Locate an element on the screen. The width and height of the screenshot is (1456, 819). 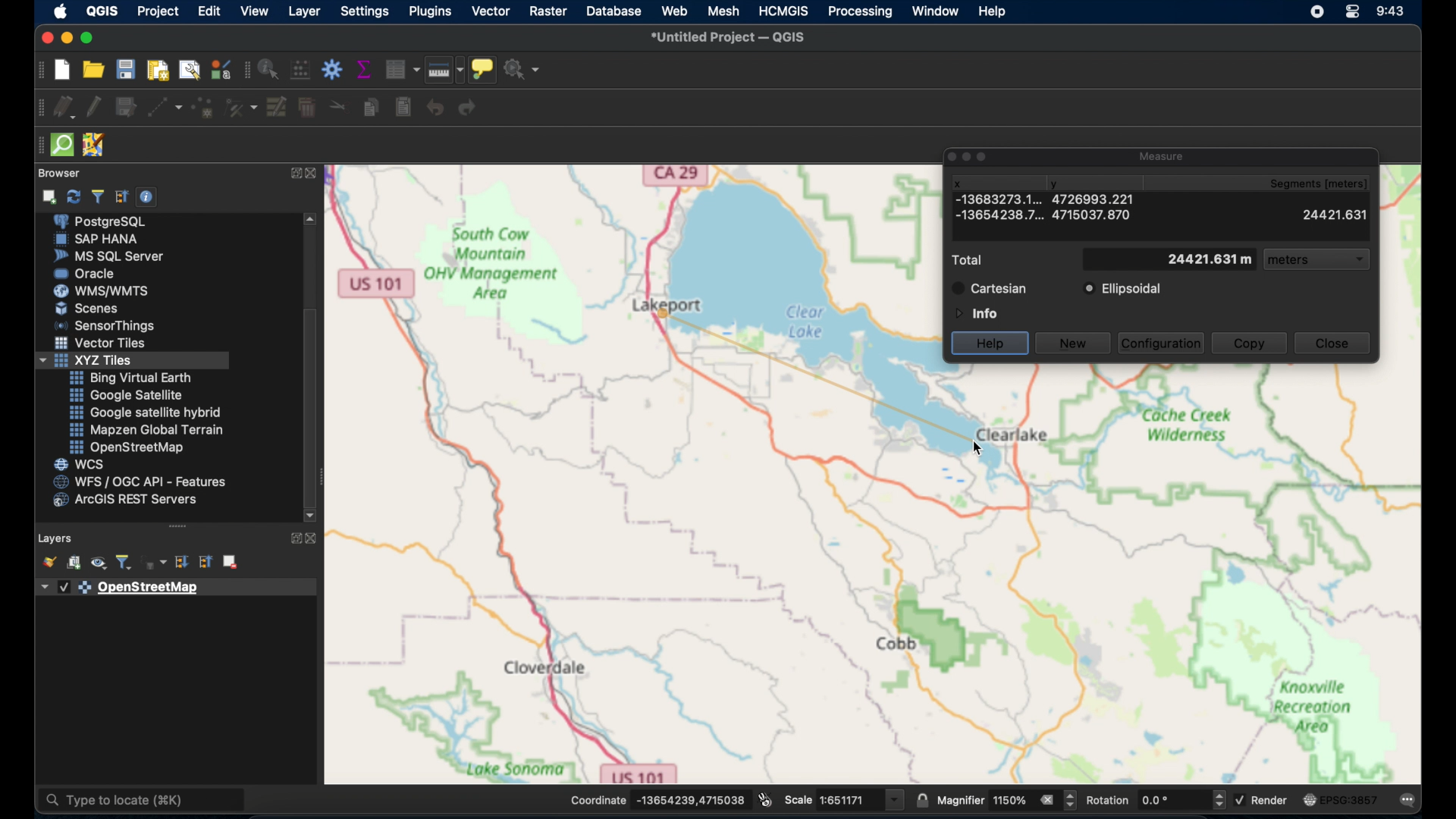
showman tips is located at coordinates (483, 68).